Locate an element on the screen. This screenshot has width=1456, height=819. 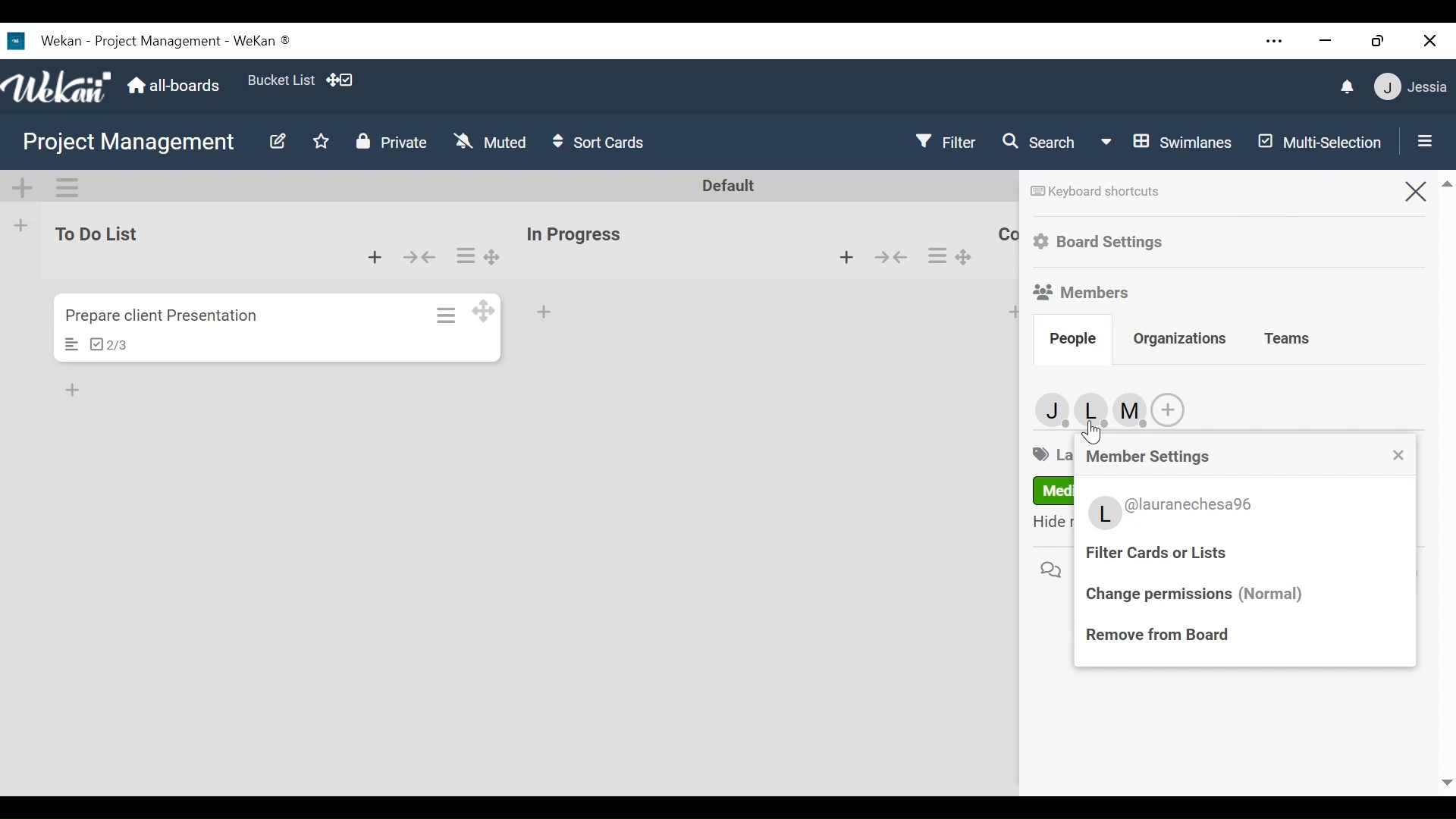
Filter is located at coordinates (944, 143).